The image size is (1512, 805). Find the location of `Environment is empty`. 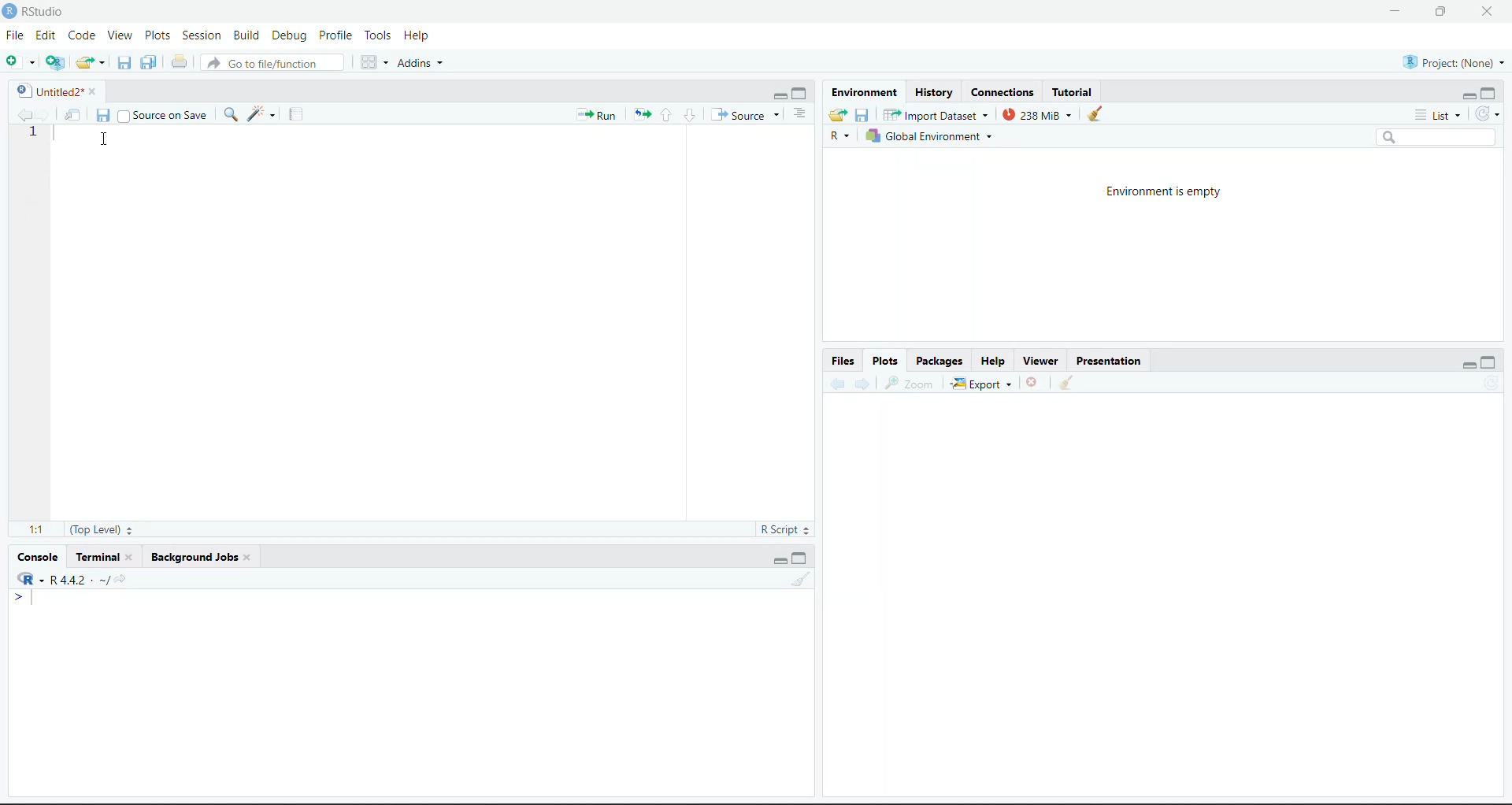

Environment is empty is located at coordinates (1162, 193).